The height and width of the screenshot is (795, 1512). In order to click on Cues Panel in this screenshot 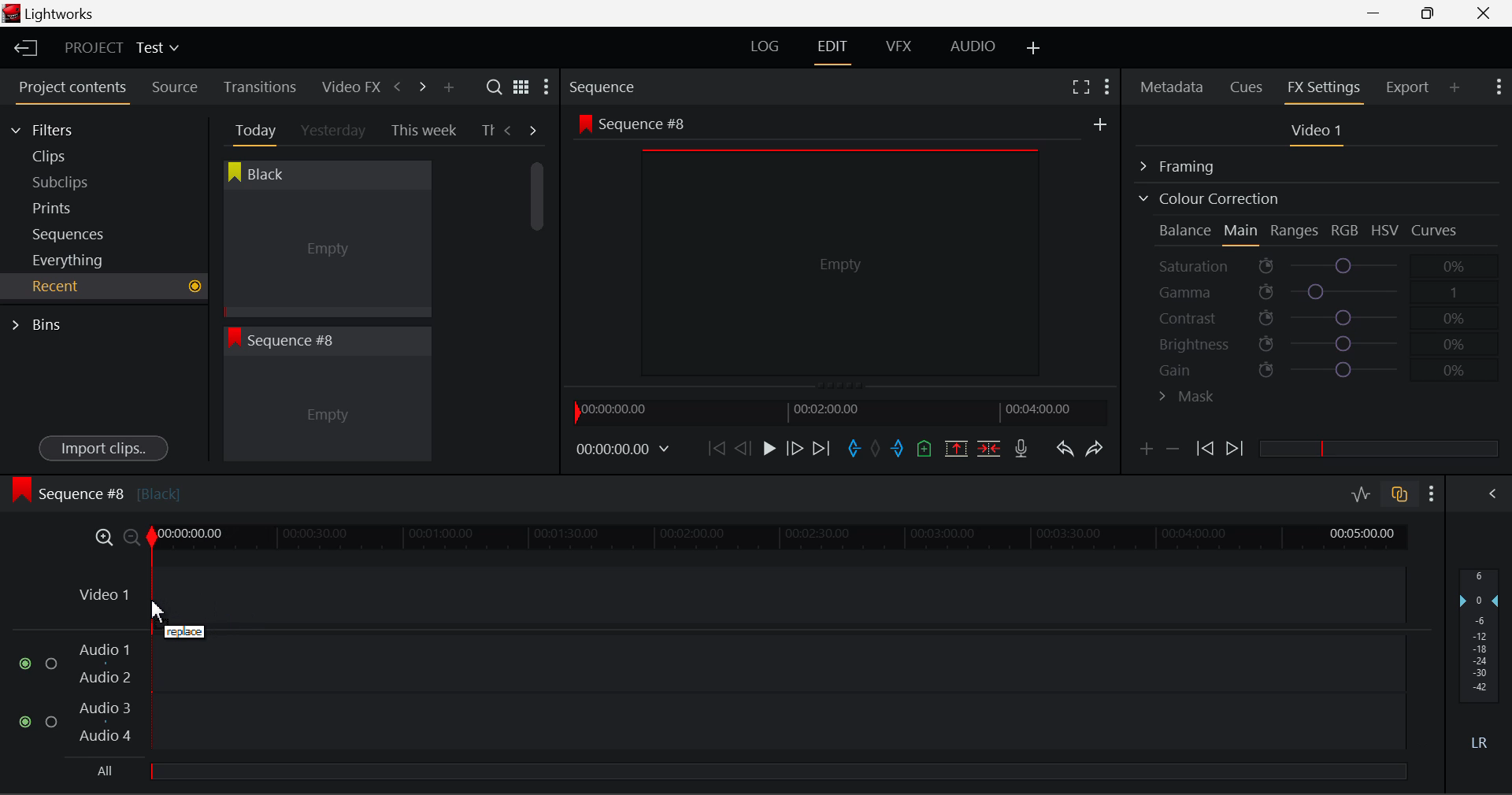, I will do `click(1248, 85)`.